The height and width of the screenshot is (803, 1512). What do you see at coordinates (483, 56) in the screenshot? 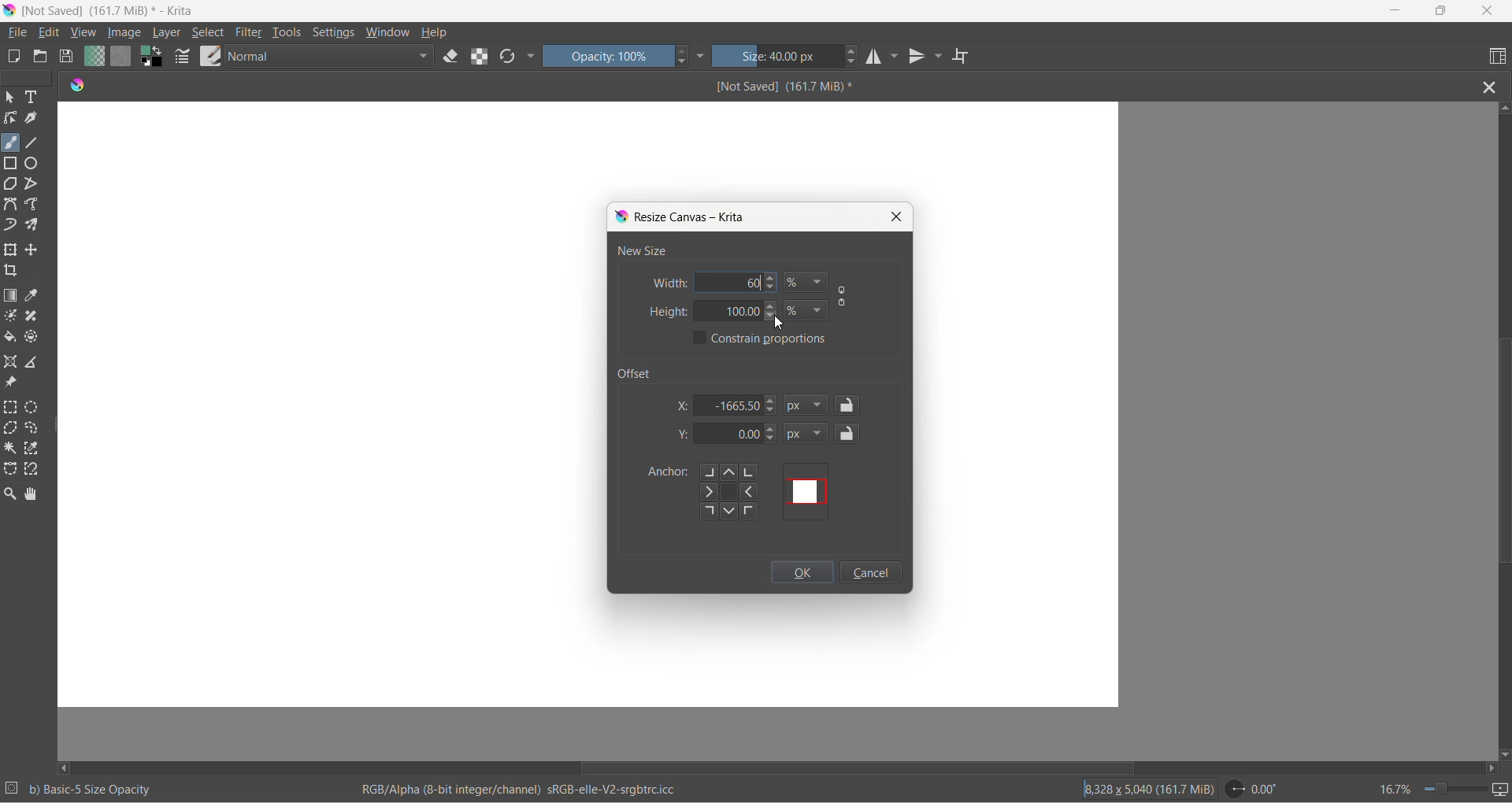
I see `preserve alpha` at bounding box center [483, 56].